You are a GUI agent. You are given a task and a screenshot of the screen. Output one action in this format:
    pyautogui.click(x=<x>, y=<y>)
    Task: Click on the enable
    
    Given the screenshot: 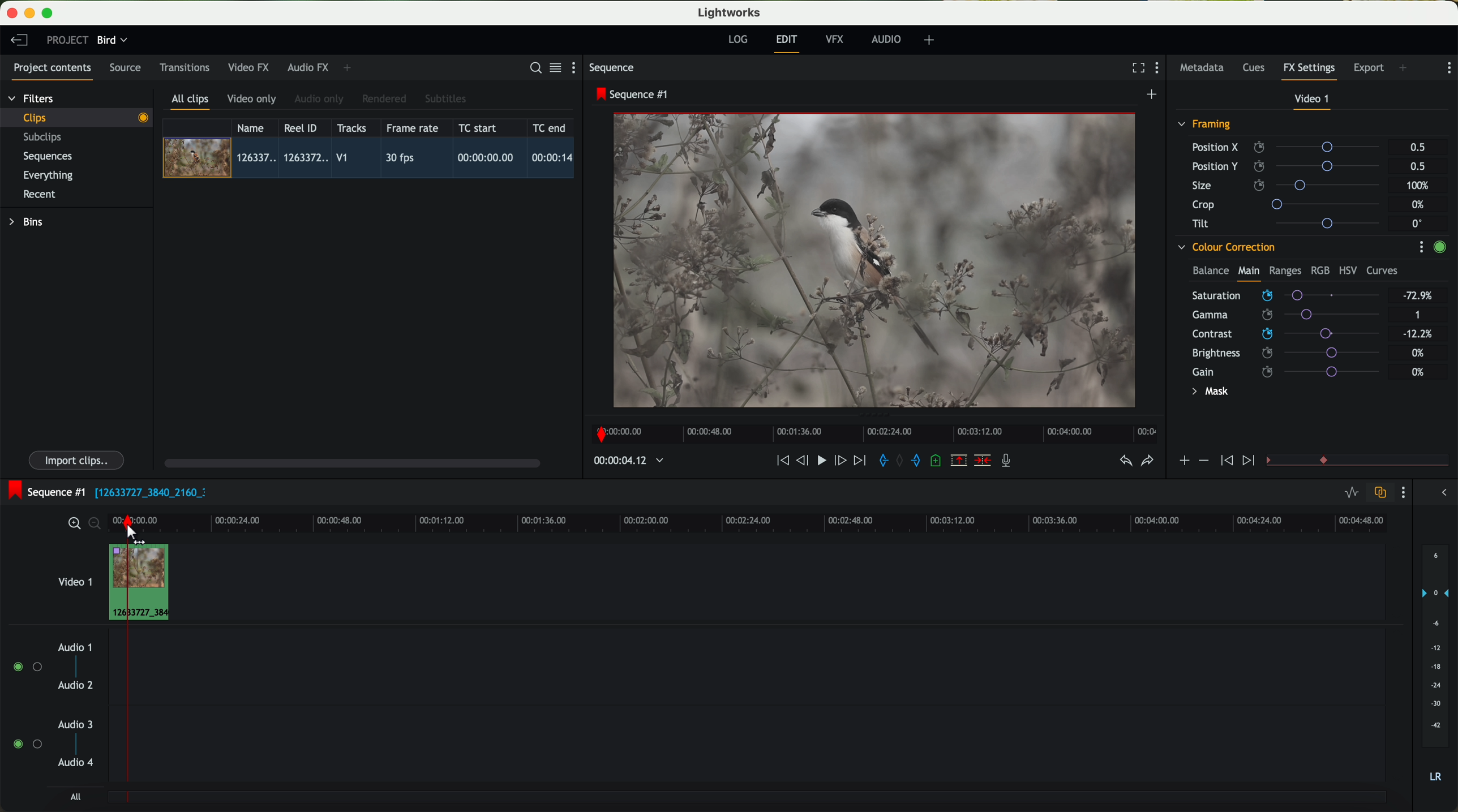 What is the action you would take?
    pyautogui.click(x=1439, y=248)
    